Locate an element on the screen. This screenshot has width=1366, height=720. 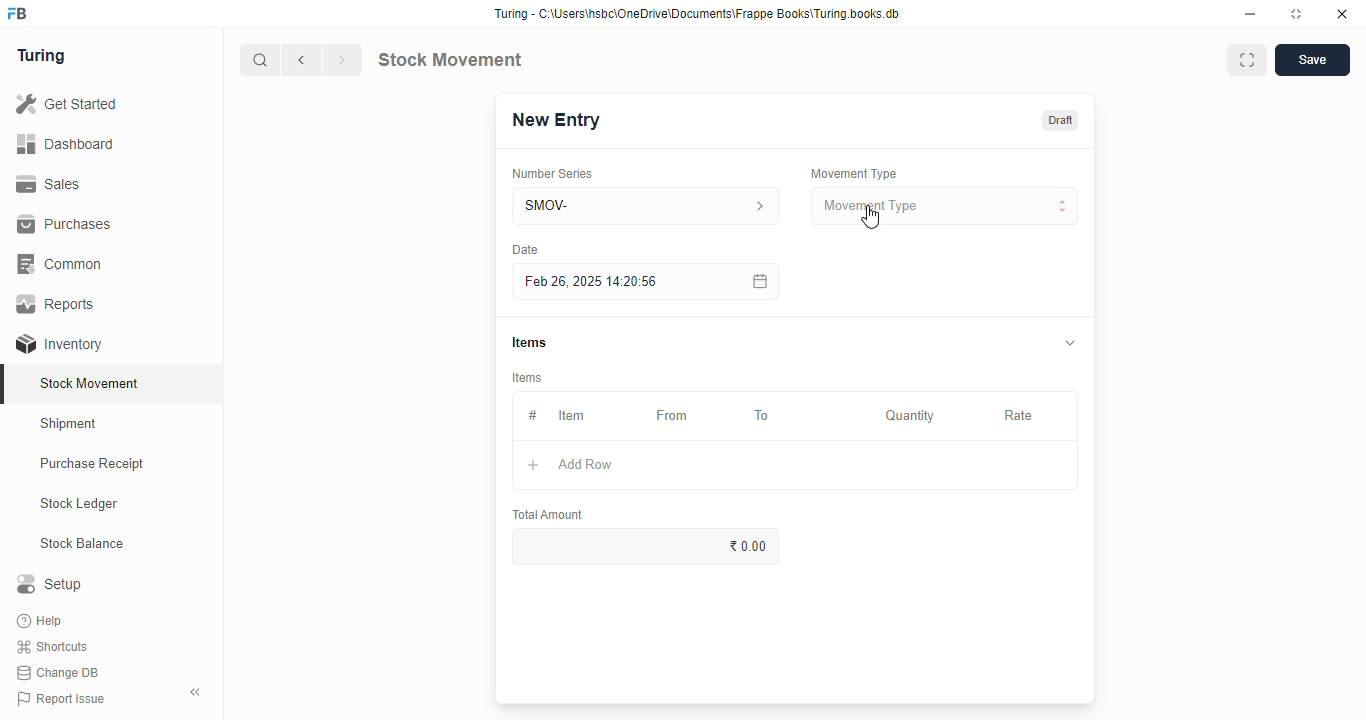
next is located at coordinates (342, 60).